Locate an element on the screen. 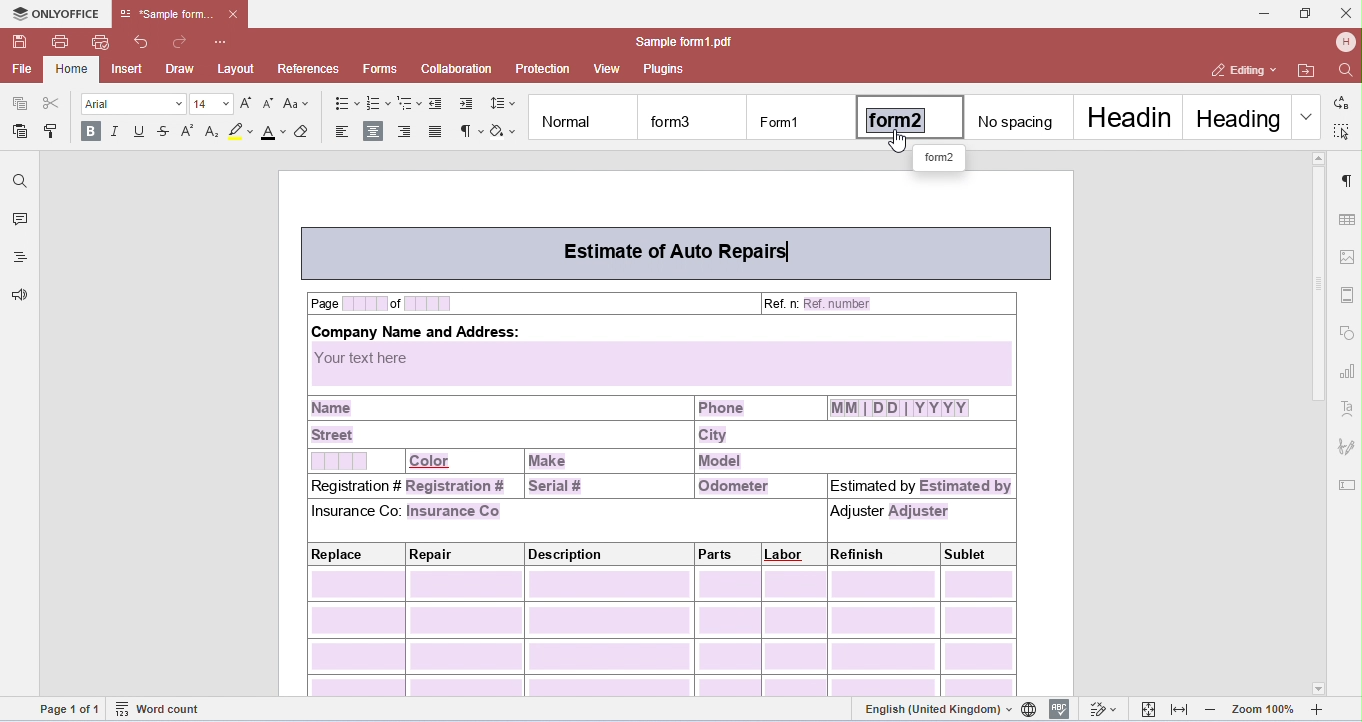  references is located at coordinates (310, 68).